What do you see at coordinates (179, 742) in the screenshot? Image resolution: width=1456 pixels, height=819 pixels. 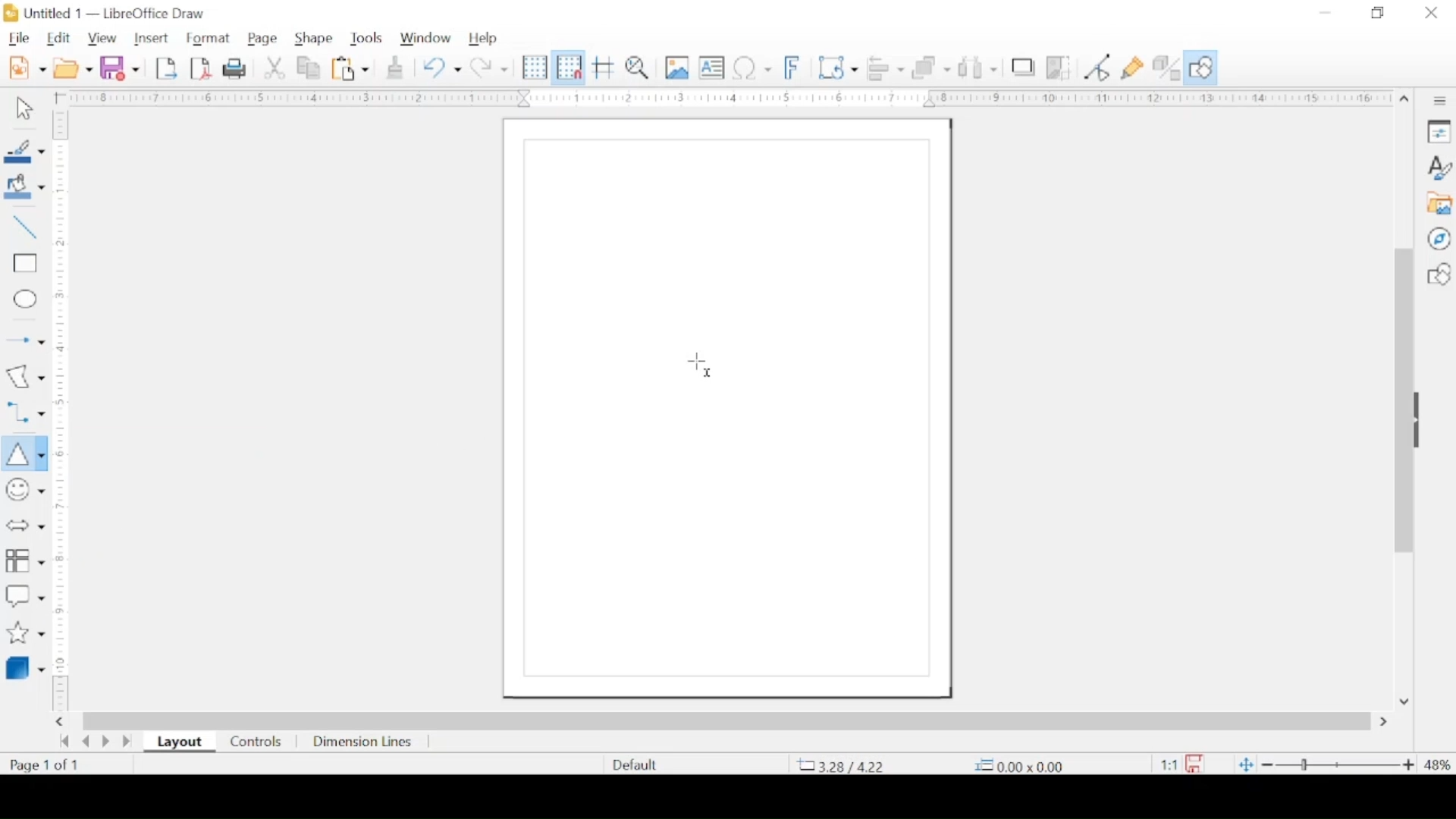 I see `layout` at bounding box center [179, 742].